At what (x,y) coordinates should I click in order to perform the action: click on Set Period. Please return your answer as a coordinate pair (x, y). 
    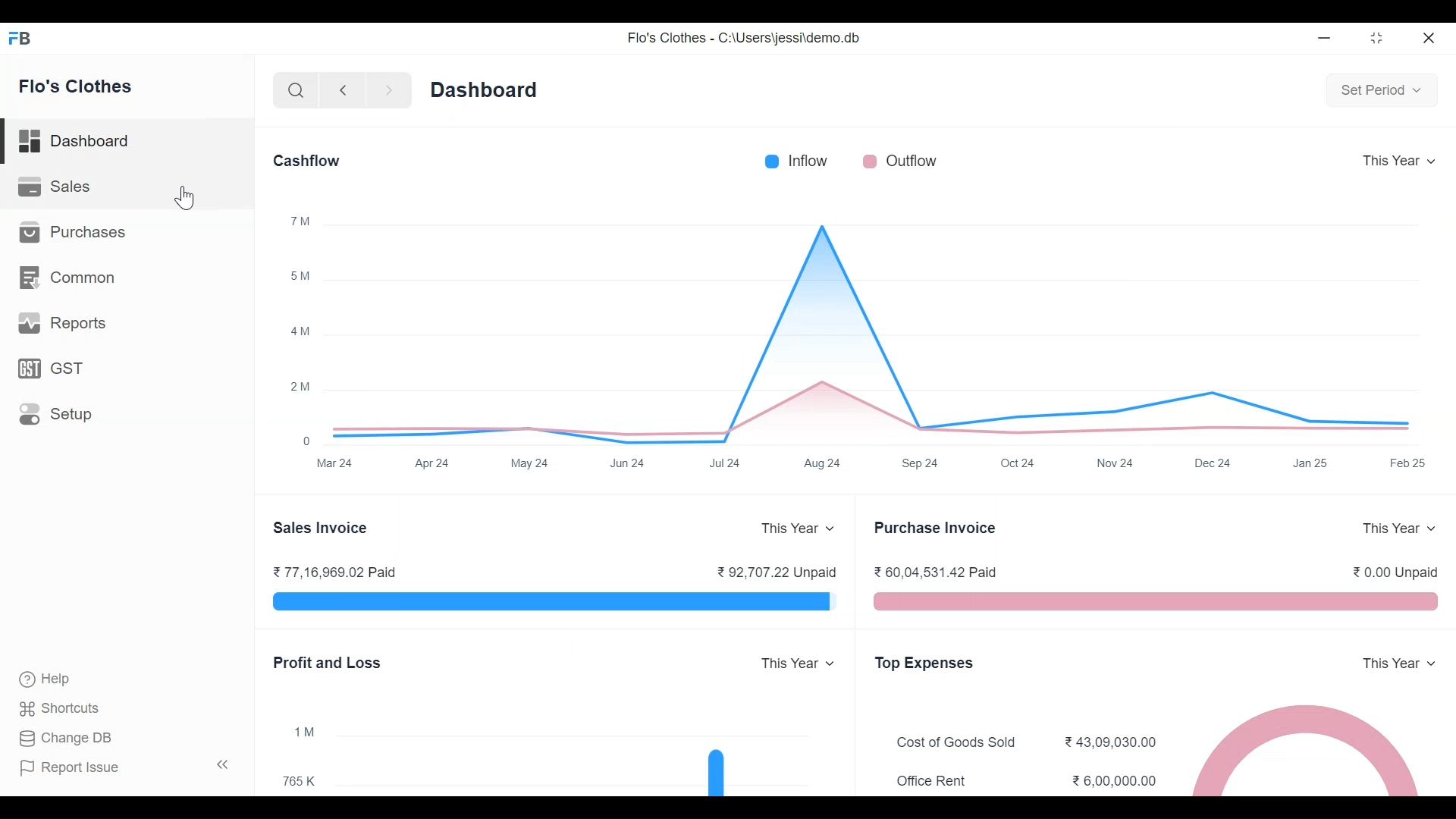
    Looking at the image, I should click on (1383, 91).